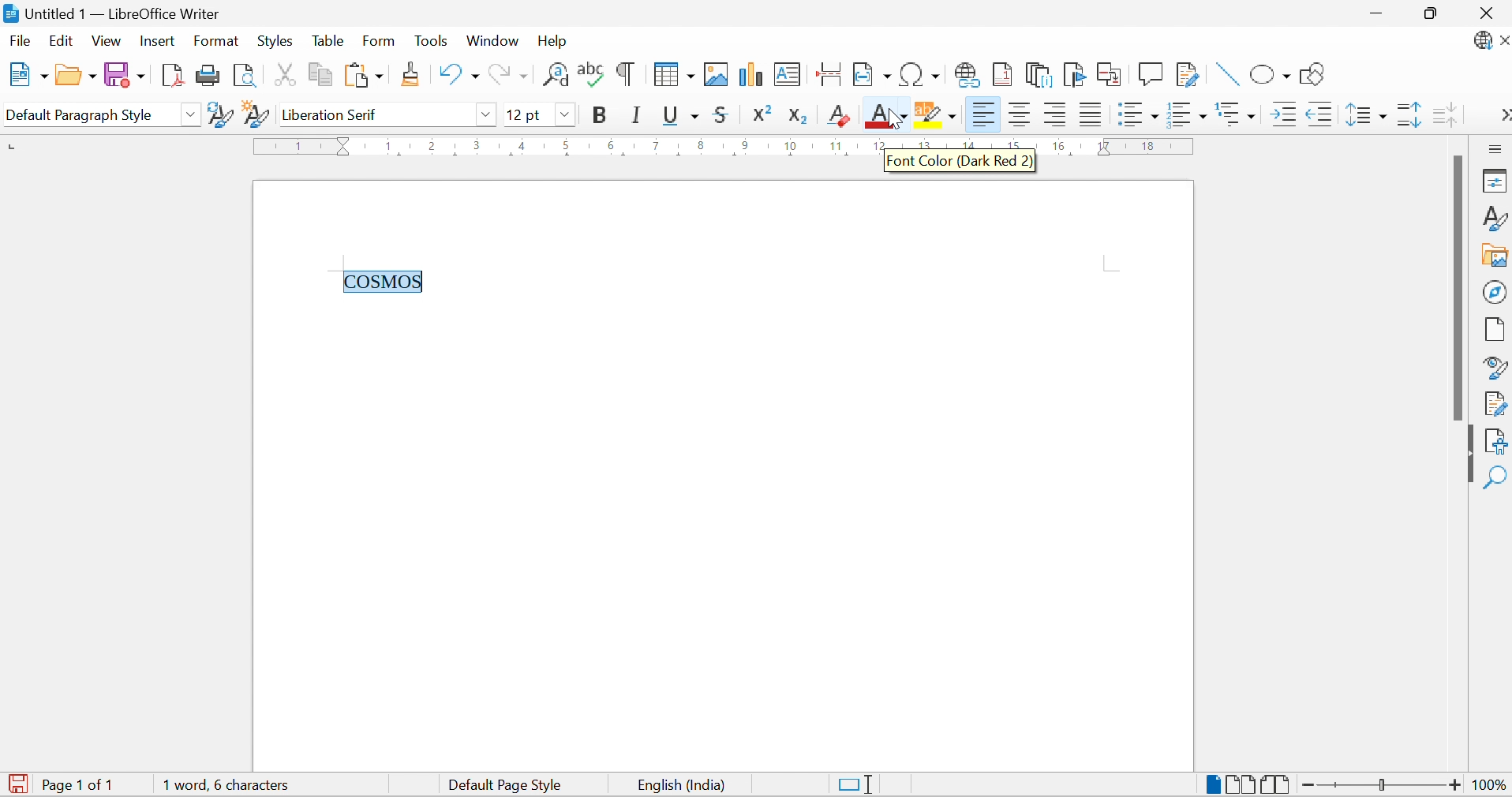  What do you see at coordinates (1307, 784) in the screenshot?
I see `Zoom Out` at bounding box center [1307, 784].